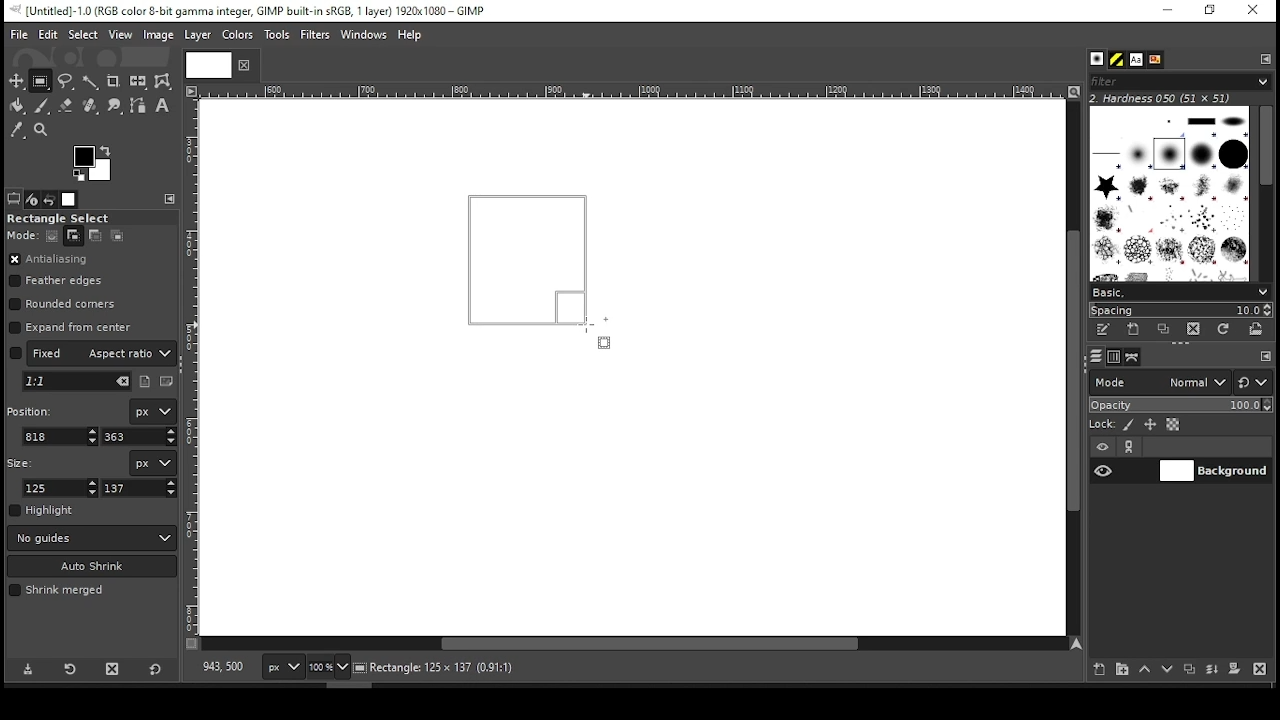 This screenshot has width=1280, height=720. What do you see at coordinates (1132, 425) in the screenshot?
I see `lock pixels` at bounding box center [1132, 425].